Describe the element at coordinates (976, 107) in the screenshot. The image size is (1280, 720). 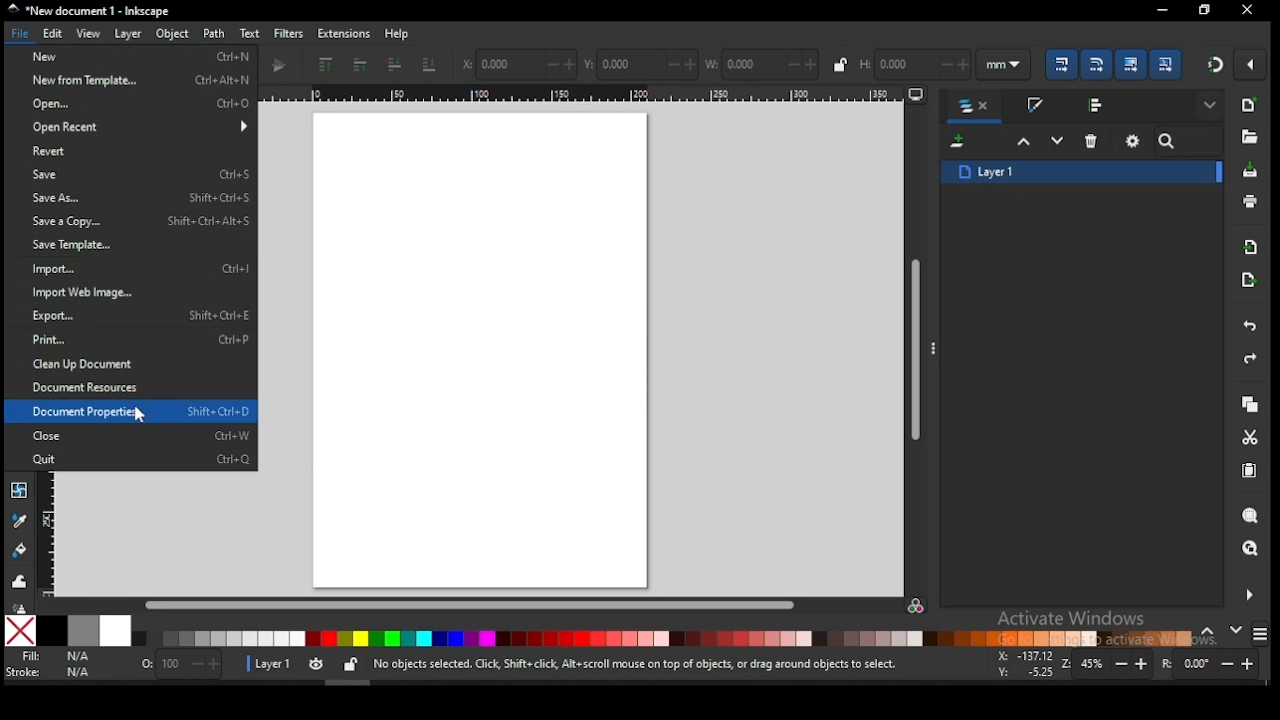
I see `layers and objects` at that location.